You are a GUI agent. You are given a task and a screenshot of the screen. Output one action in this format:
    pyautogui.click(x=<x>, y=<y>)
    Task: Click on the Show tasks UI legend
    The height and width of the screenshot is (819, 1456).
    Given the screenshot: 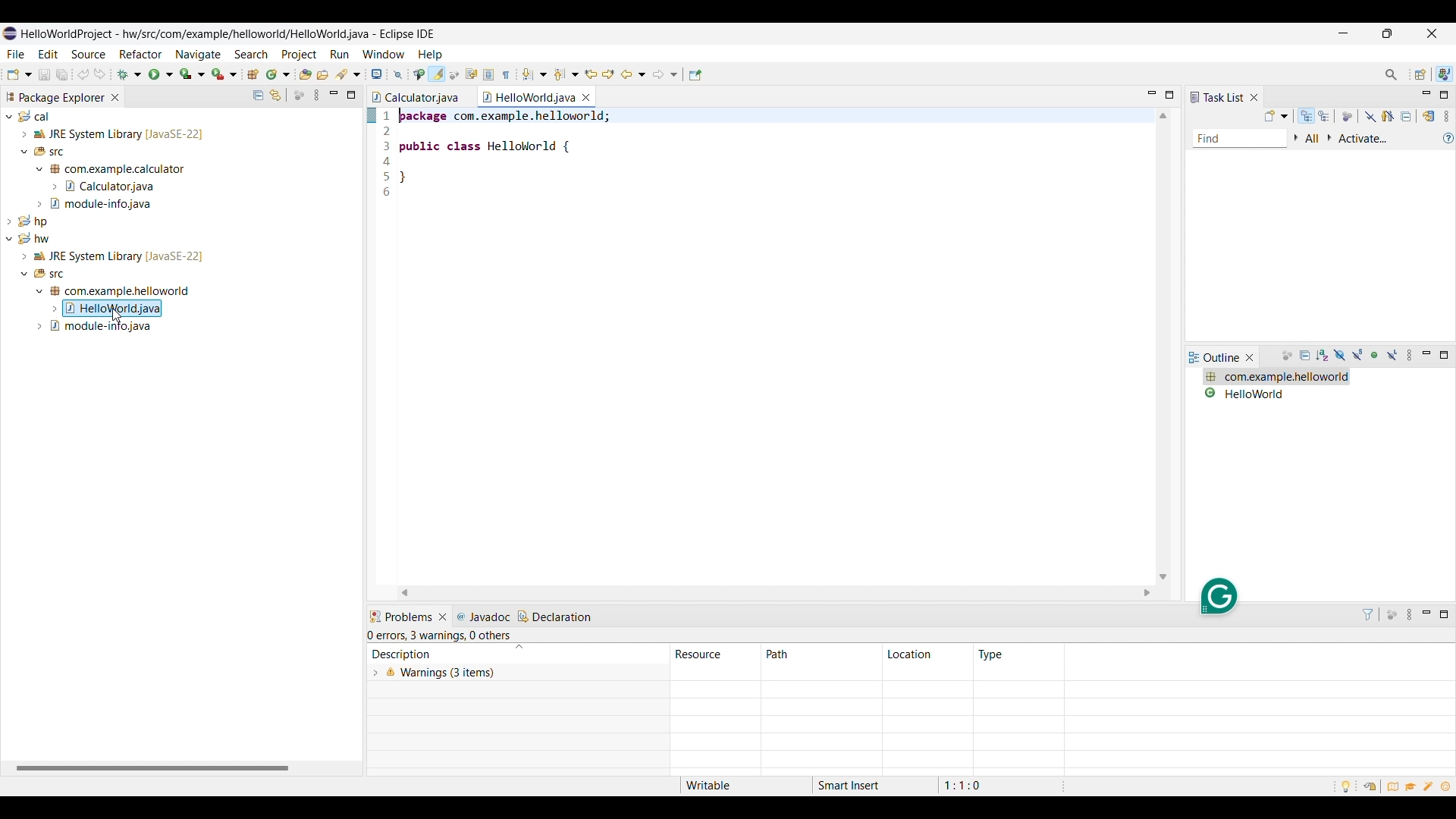 What is the action you would take?
    pyautogui.click(x=1448, y=138)
    